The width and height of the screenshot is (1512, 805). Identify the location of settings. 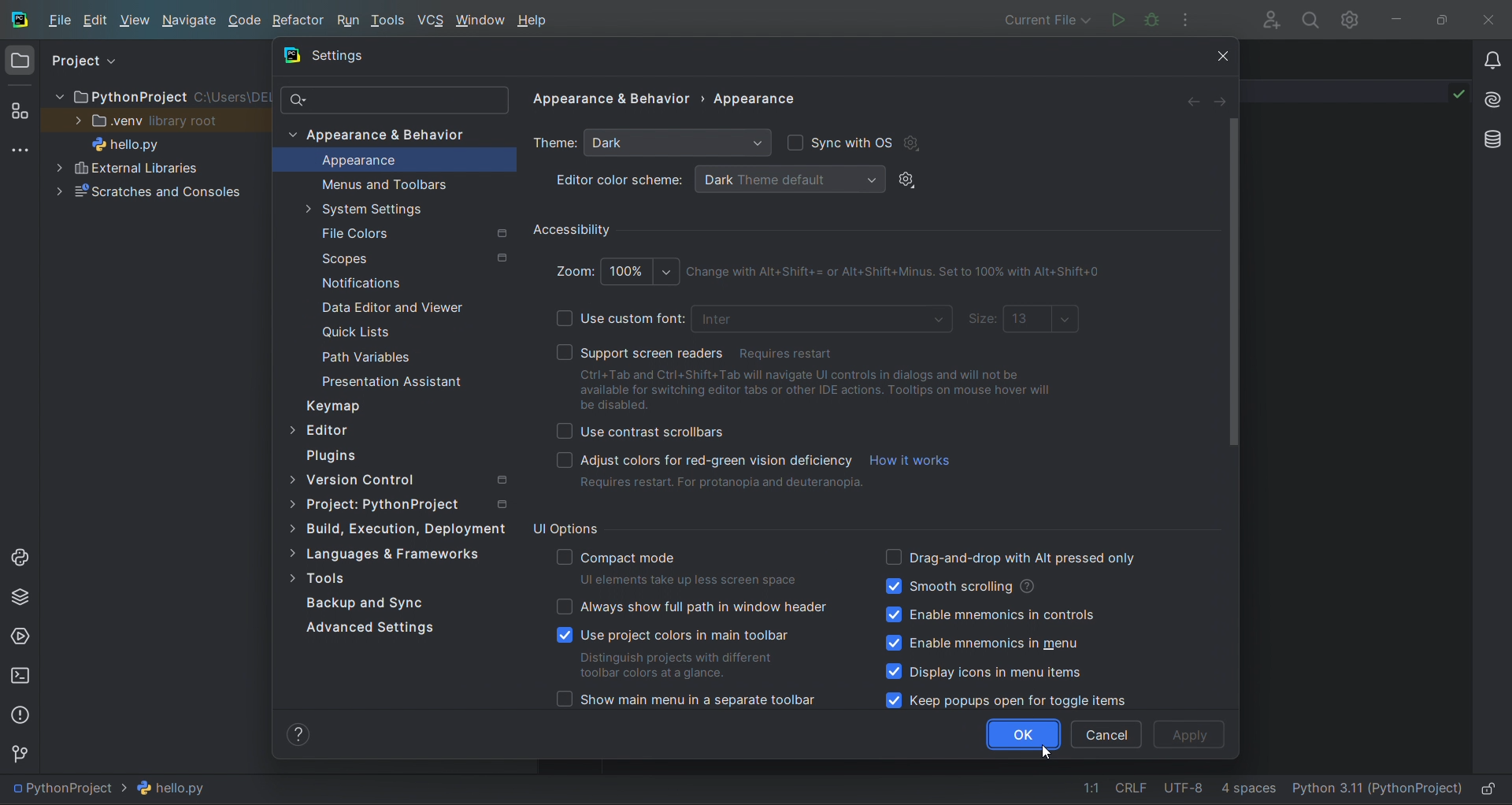
(912, 142).